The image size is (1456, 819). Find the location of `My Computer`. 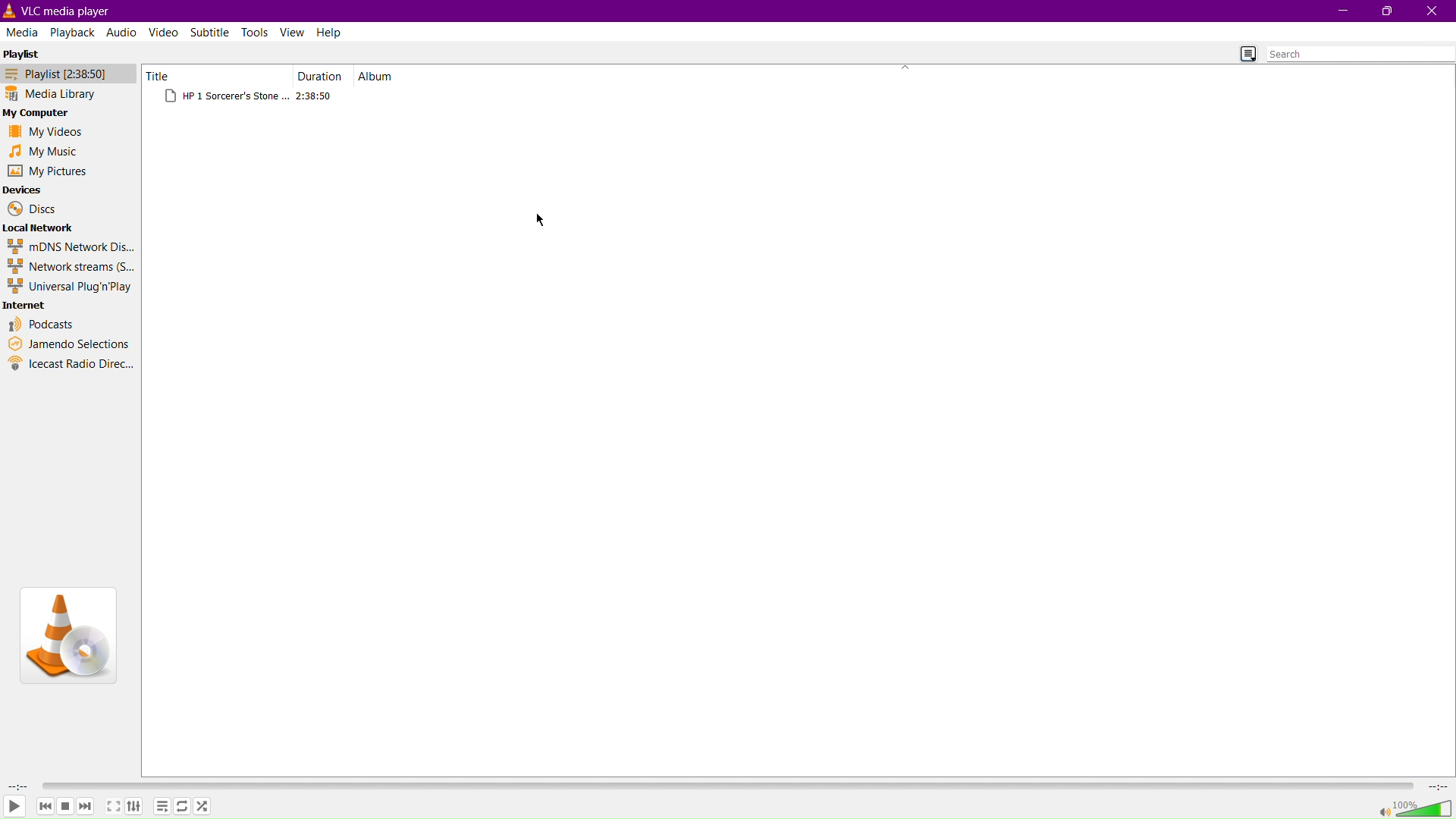

My Computer is located at coordinates (39, 114).